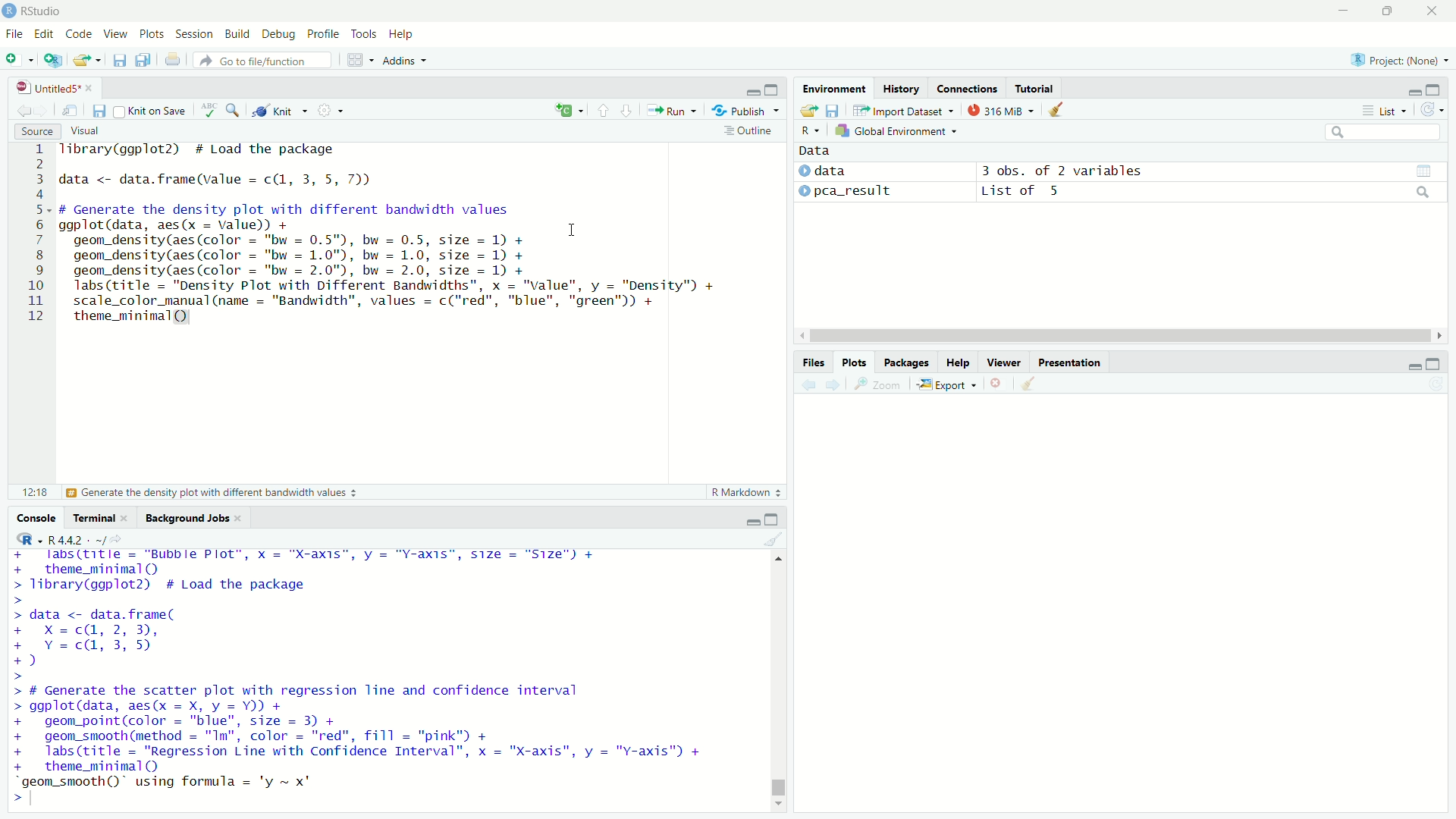 The height and width of the screenshot is (819, 1456). Describe the element at coordinates (98, 60) in the screenshot. I see `Open recent files` at that location.